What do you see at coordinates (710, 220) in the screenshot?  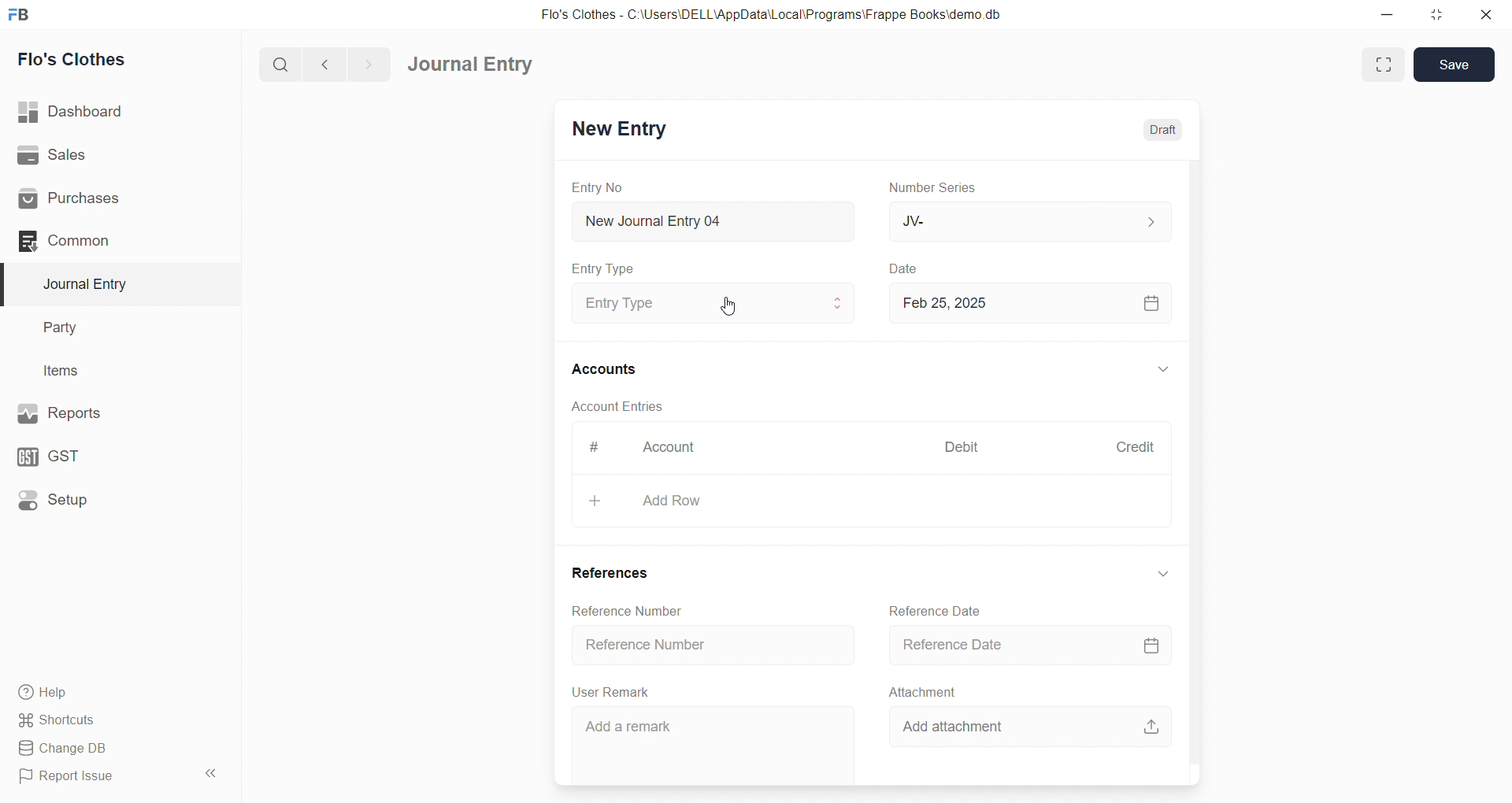 I see `New Journal Entry 04` at bounding box center [710, 220].